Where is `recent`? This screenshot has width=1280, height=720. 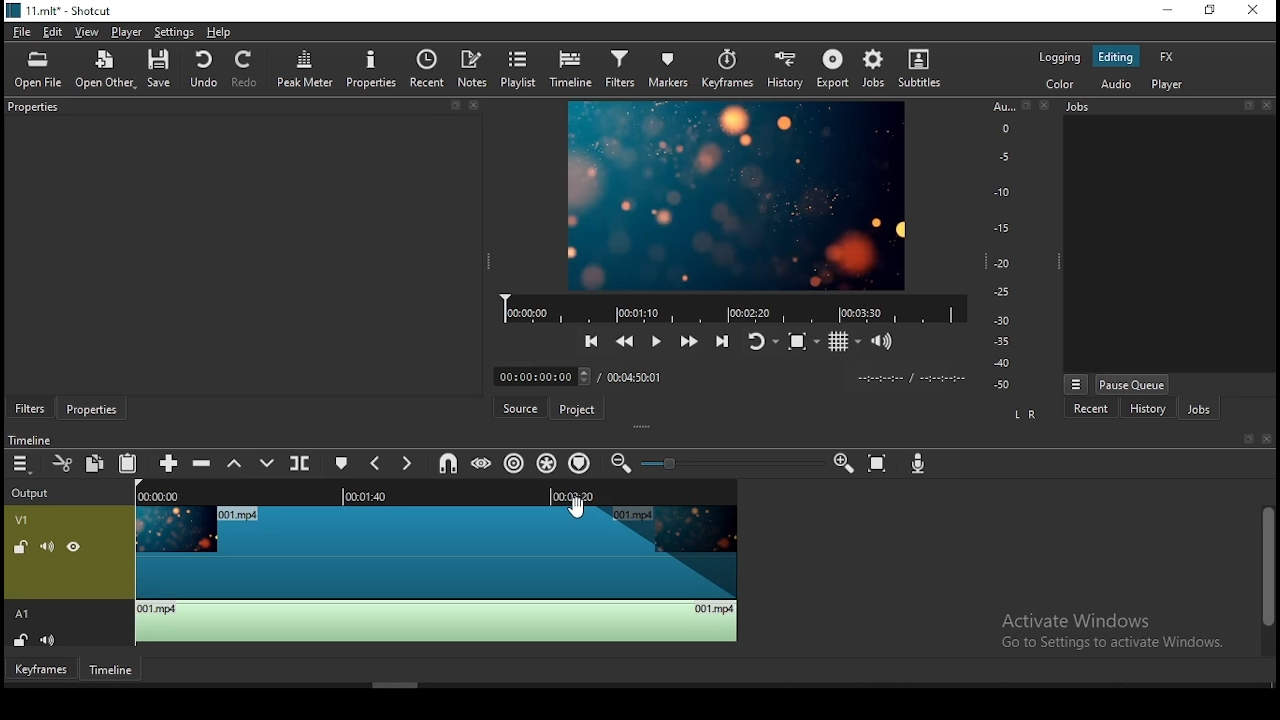 recent is located at coordinates (1091, 410).